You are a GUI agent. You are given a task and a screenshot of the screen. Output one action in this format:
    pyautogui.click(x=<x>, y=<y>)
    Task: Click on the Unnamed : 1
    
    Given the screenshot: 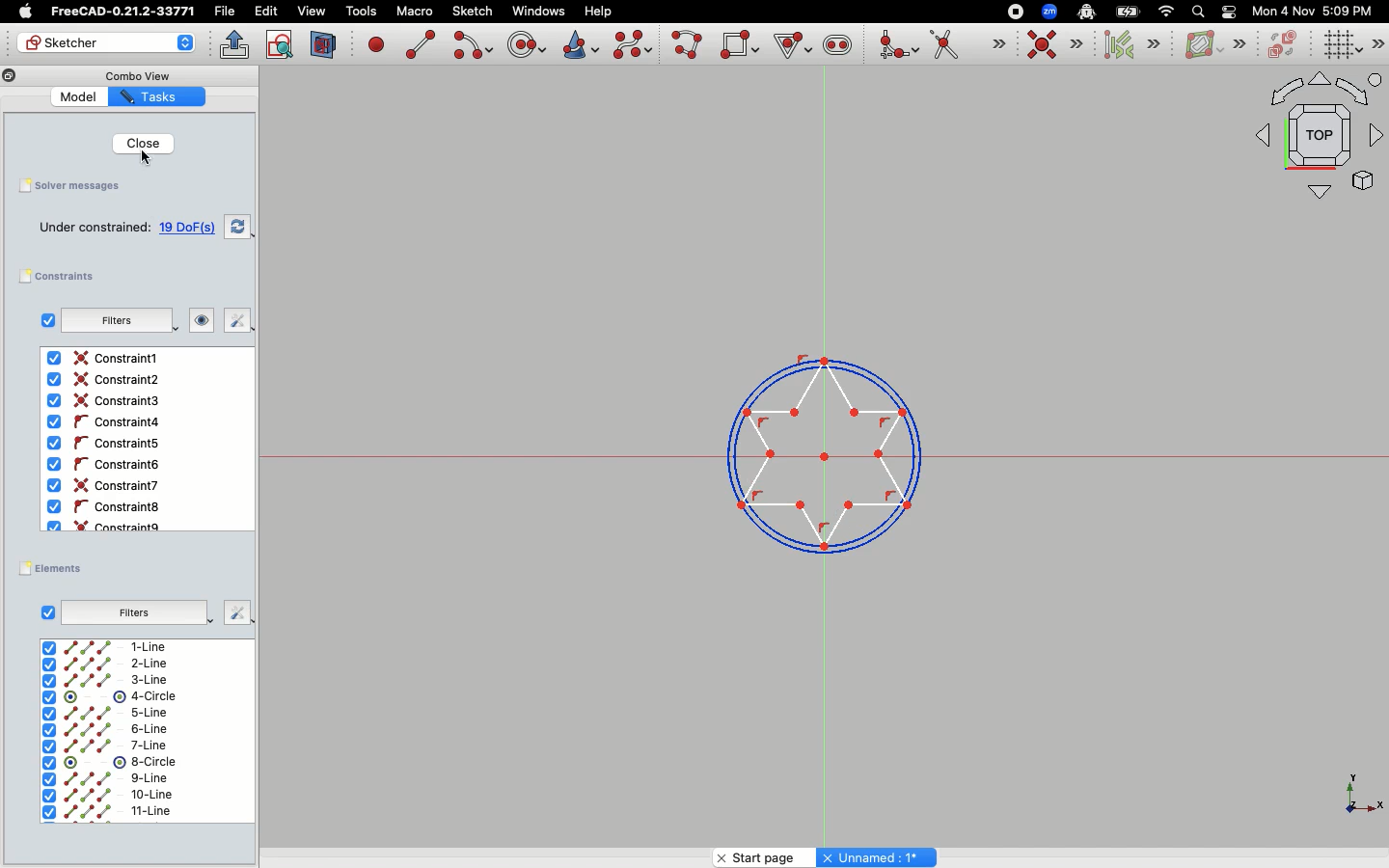 What is the action you would take?
    pyautogui.click(x=876, y=854)
    